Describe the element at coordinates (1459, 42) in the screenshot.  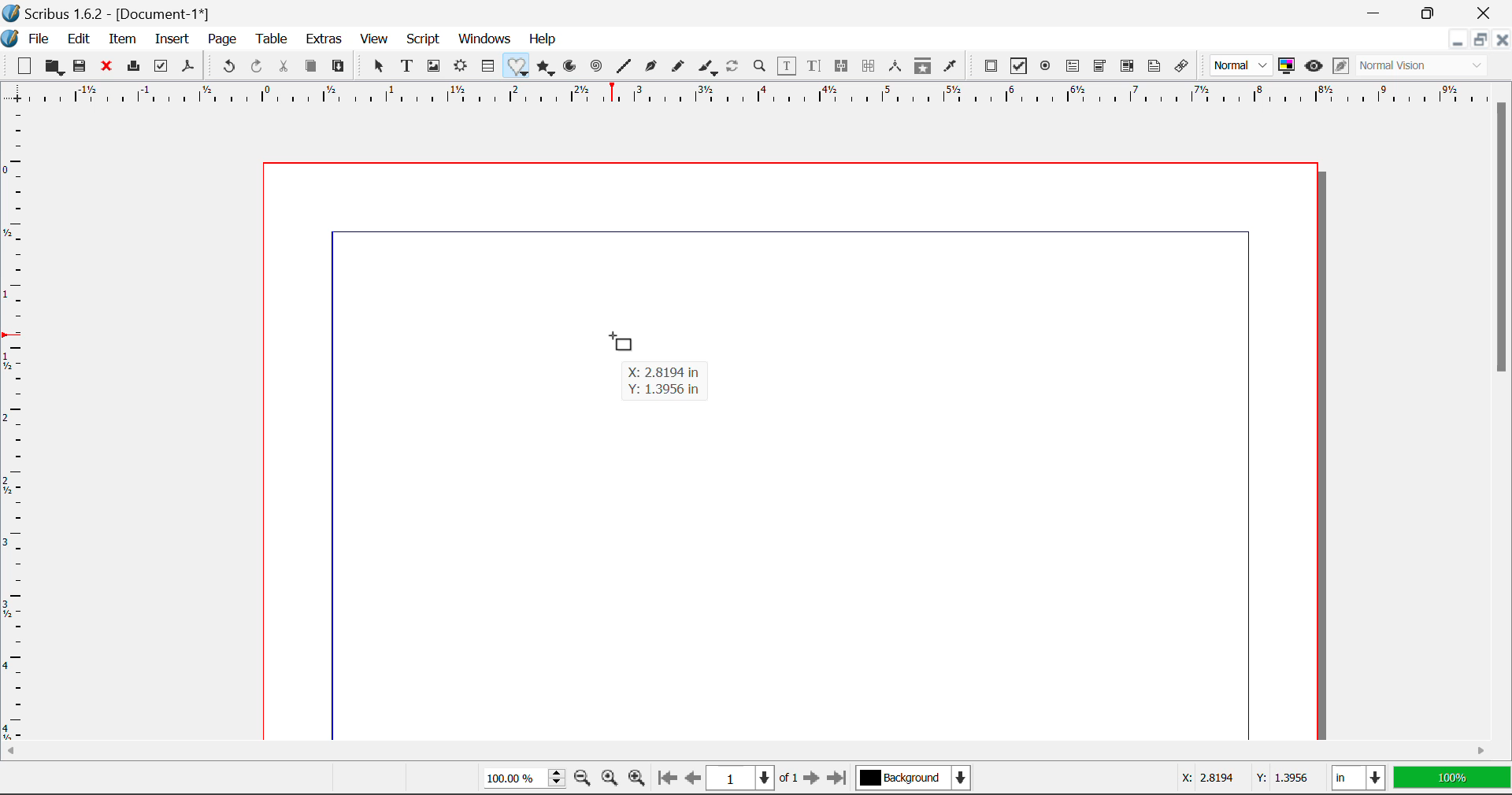
I see `Restore Down` at that location.